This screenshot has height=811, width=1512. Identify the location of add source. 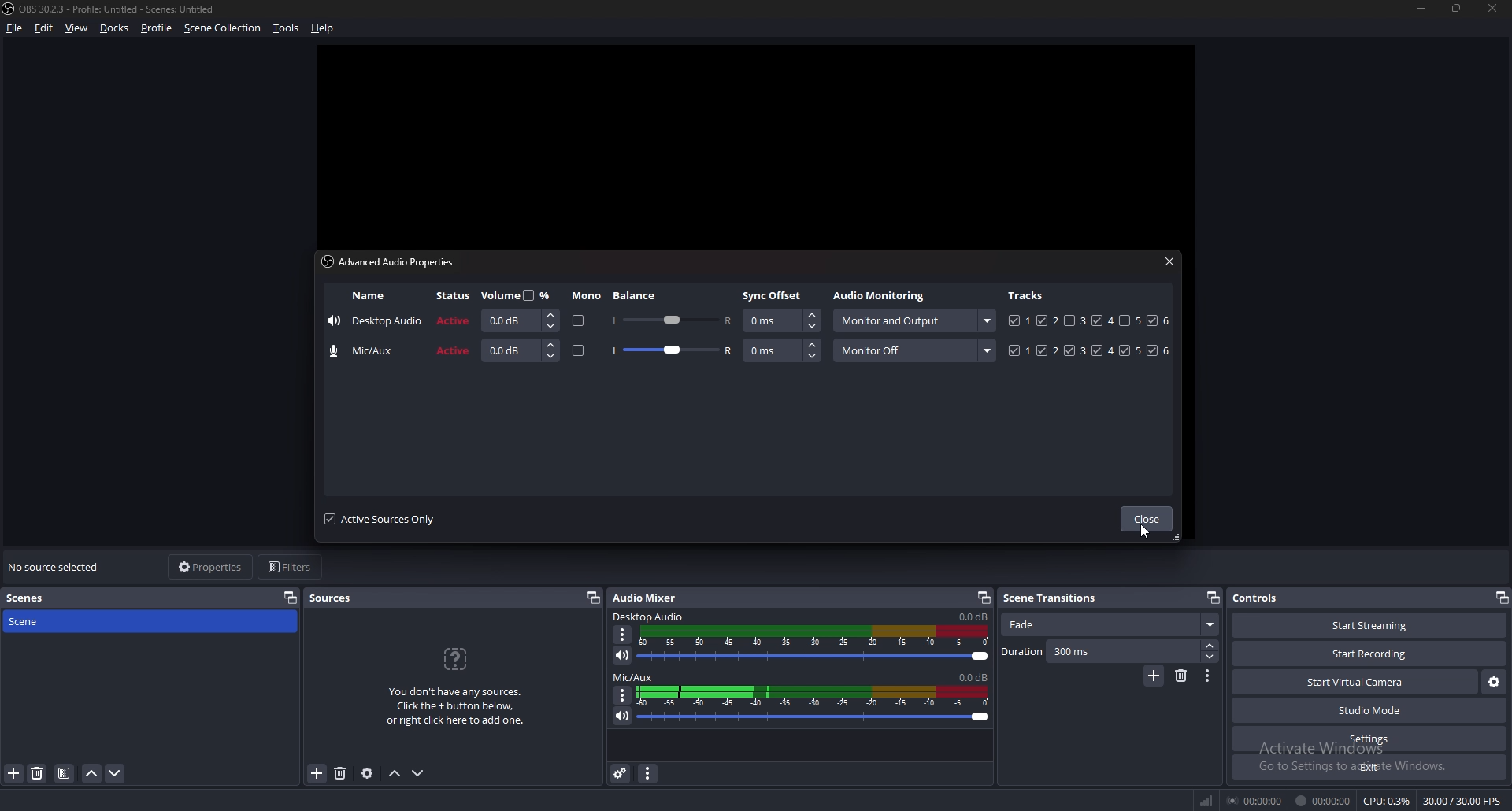
(316, 774).